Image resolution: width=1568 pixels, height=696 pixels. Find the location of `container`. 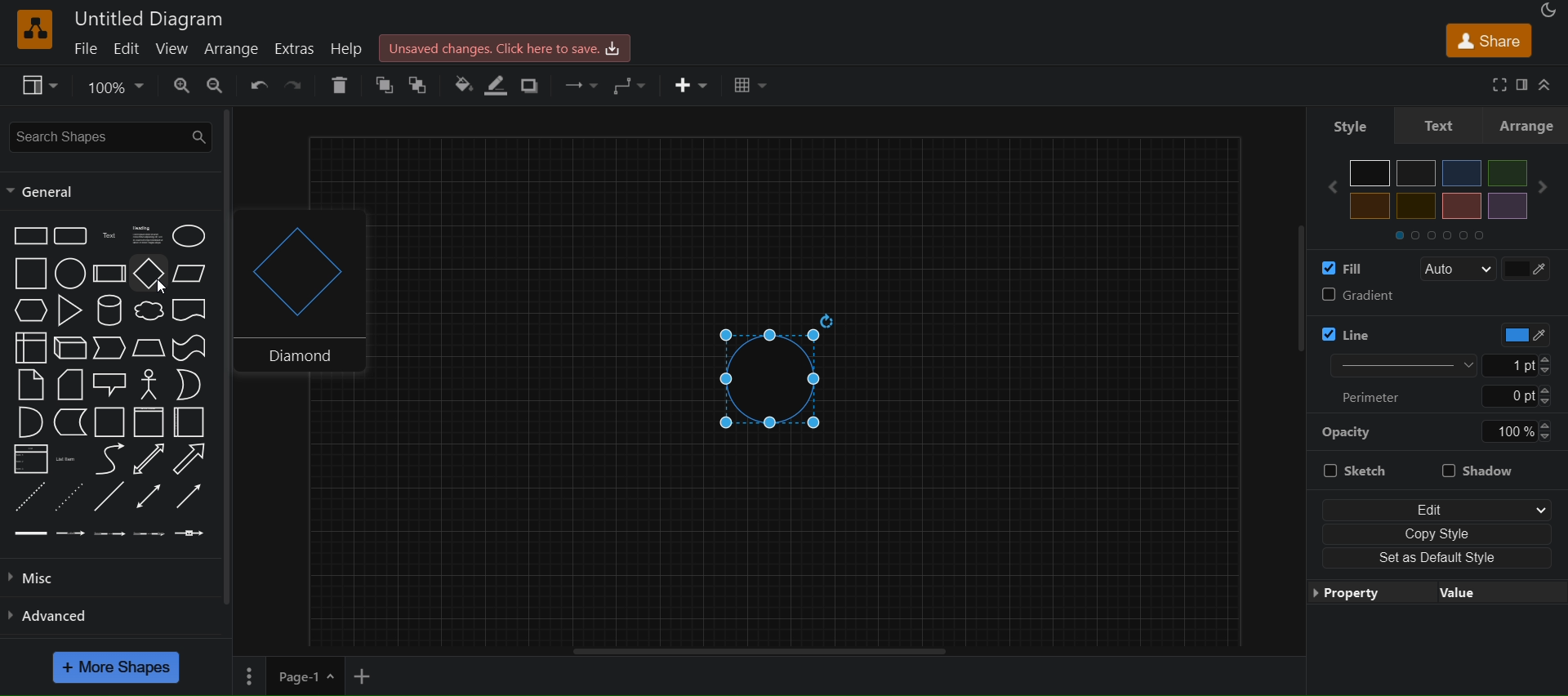

container is located at coordinates (111, 423).